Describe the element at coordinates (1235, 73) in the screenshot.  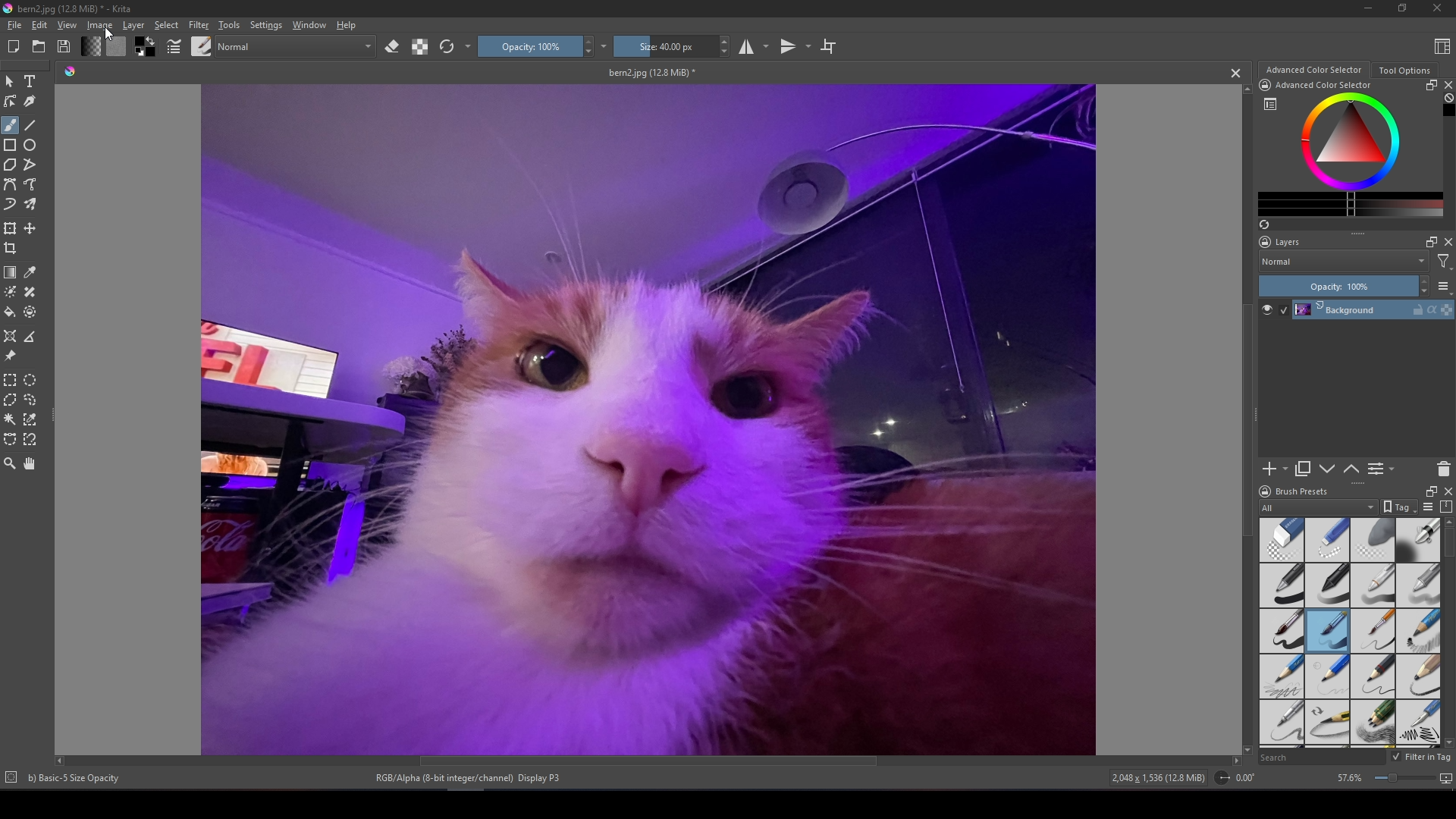
I see `Close tab` at that location.